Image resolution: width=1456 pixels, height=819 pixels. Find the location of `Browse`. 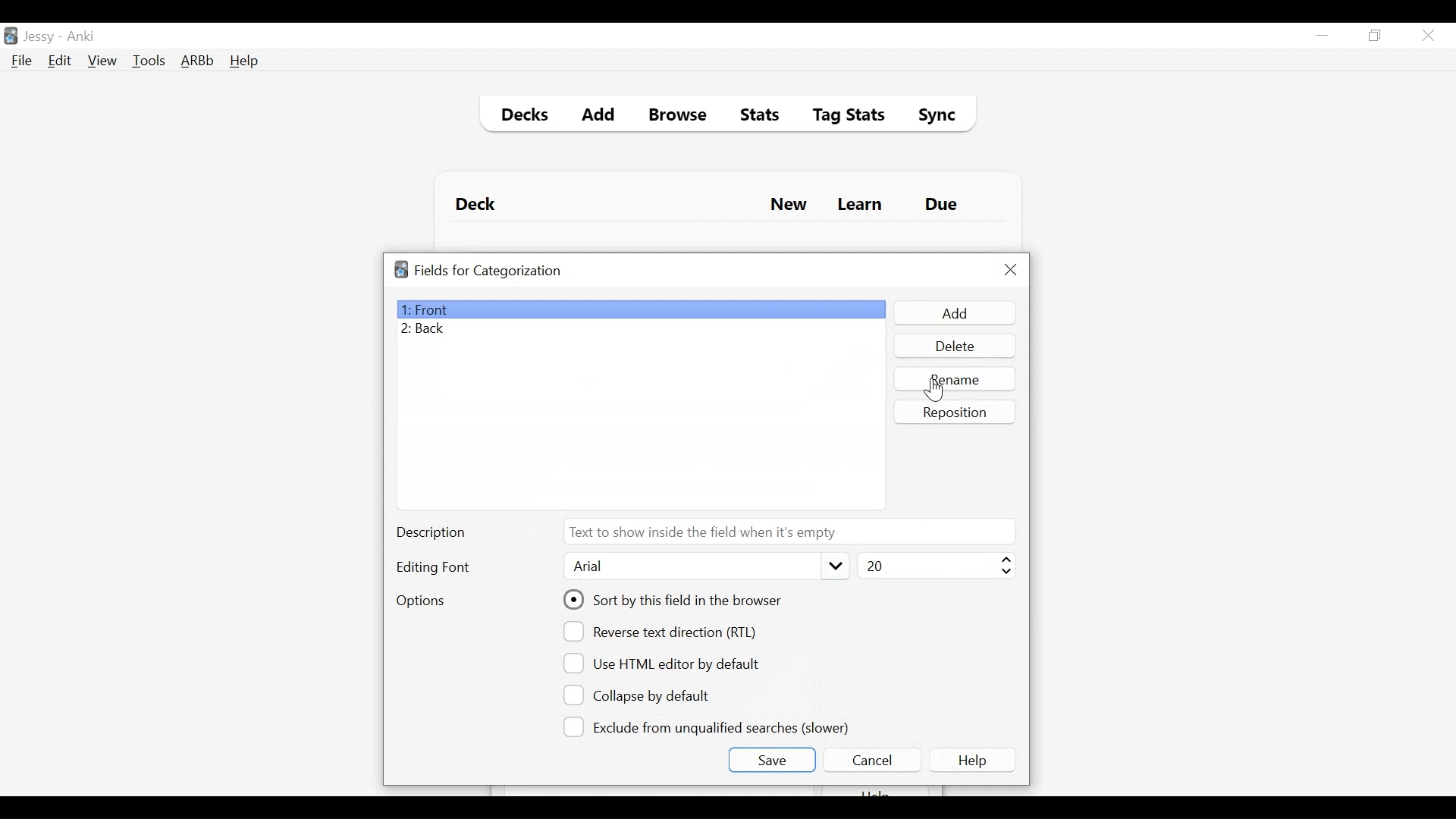

Browse is located at coordinates (680, 117).